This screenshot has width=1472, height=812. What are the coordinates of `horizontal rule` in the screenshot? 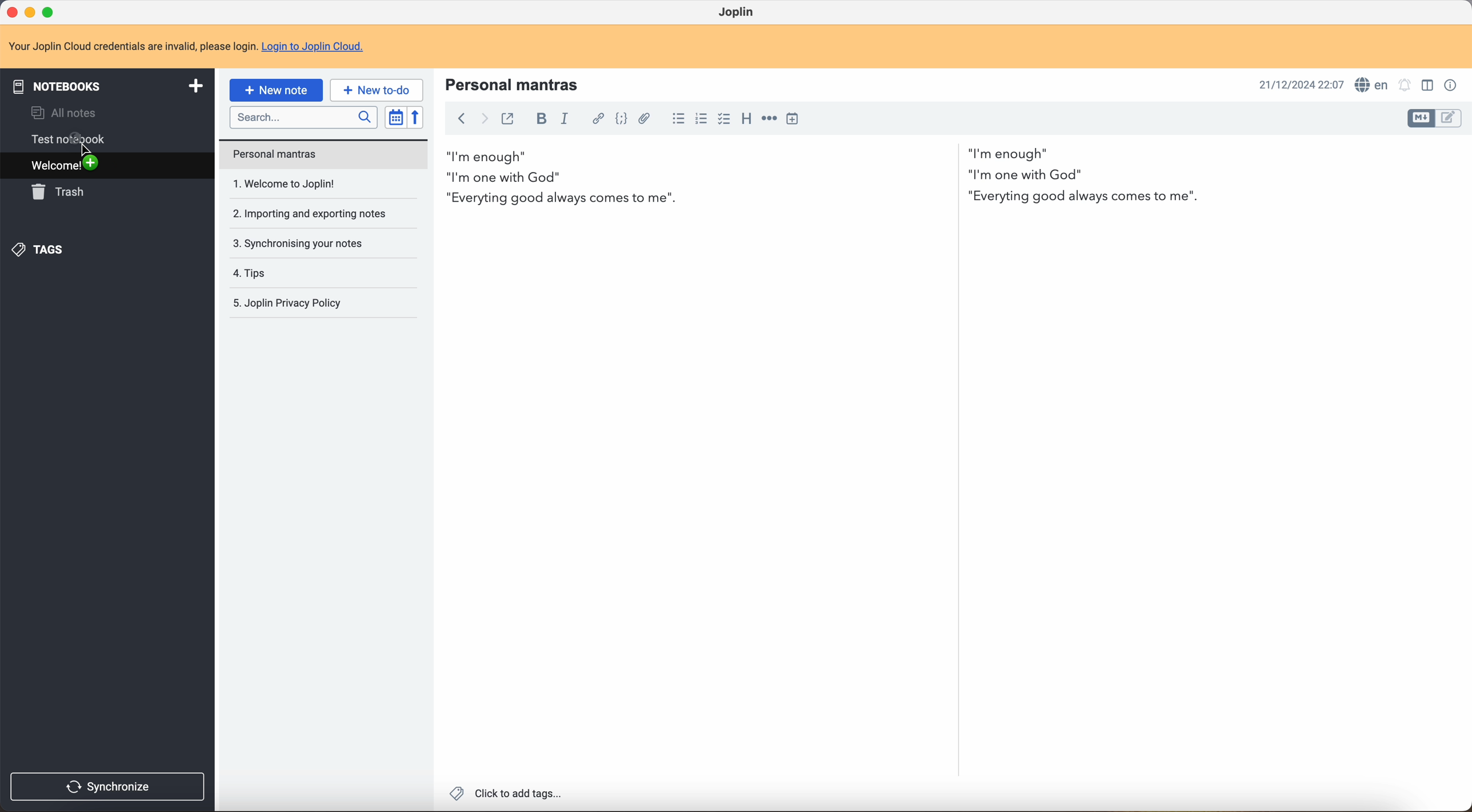 It's located at (770, 119).